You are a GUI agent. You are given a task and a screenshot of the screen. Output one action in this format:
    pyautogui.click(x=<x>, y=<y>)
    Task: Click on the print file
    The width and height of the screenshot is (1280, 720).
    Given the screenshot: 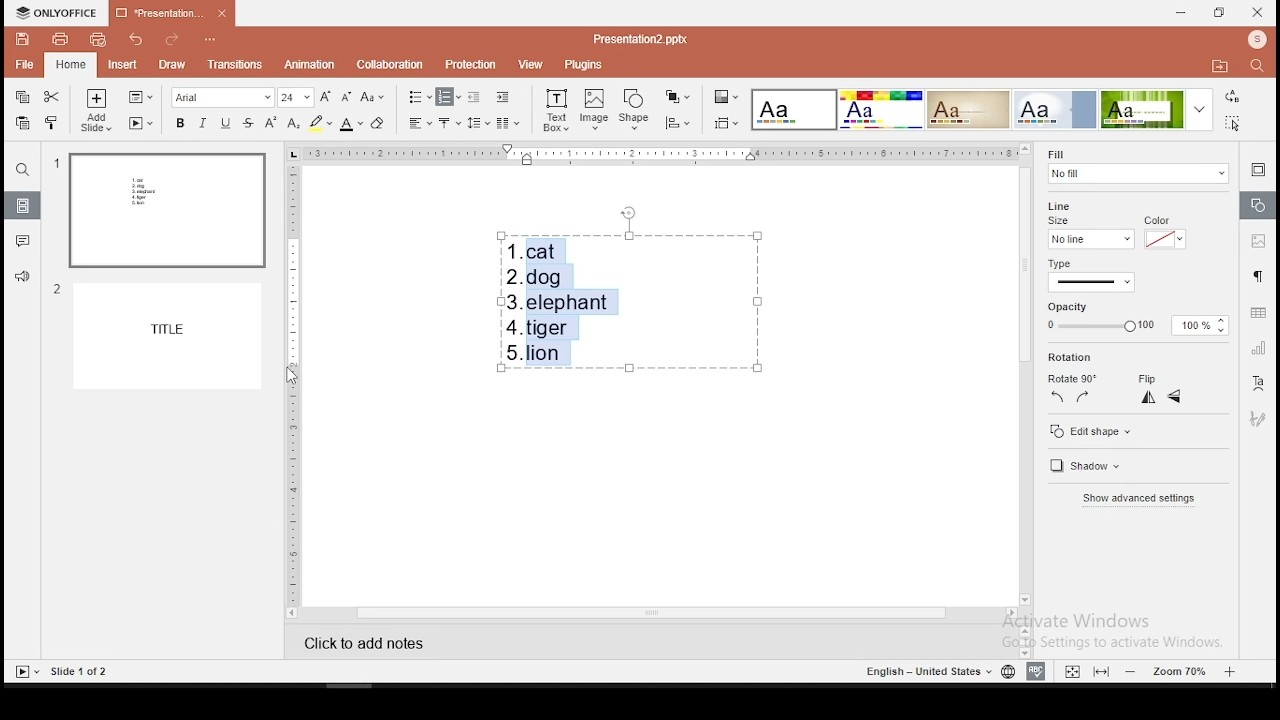 What is the action you would take?
    pyautogui.click(x=60, y=39)
    